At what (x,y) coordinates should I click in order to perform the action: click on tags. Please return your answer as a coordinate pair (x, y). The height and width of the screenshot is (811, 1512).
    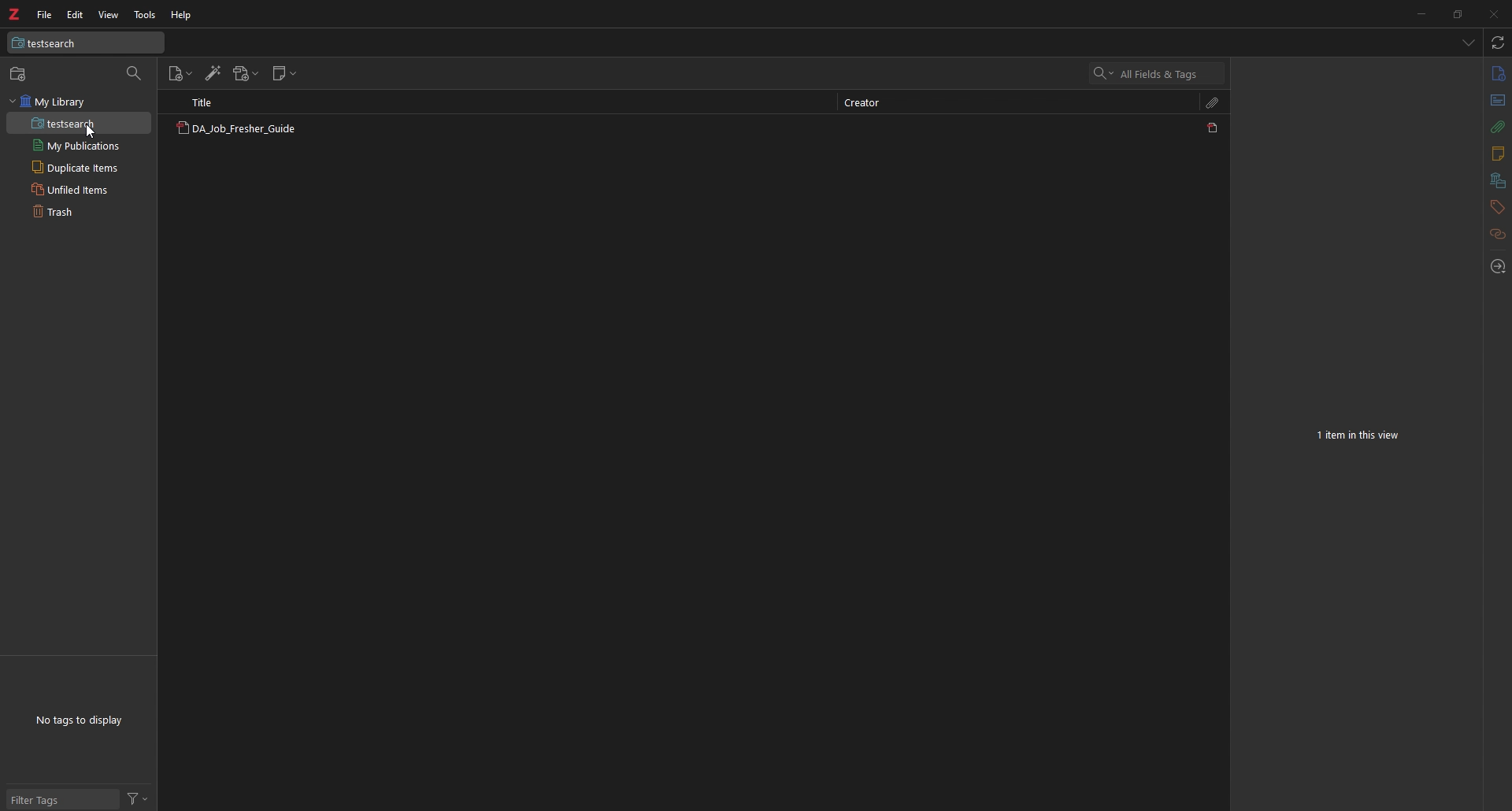
    Looking at the image, I should click on (1497, 207).